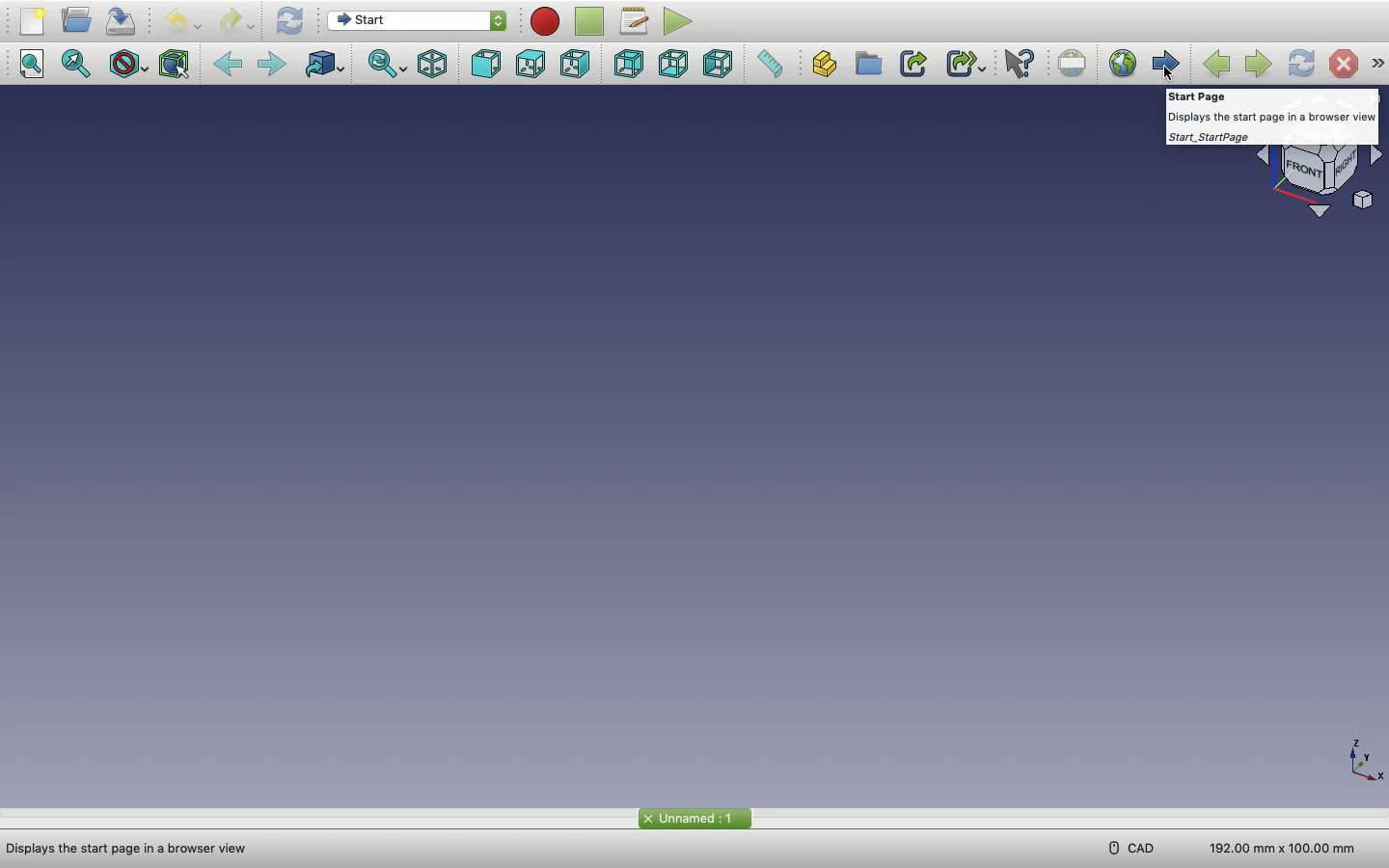 The image size is (1389, 868). What do you see at coordinates (486, 65) in the screenshot?
I see `Front` at bounding box center [486, 65].